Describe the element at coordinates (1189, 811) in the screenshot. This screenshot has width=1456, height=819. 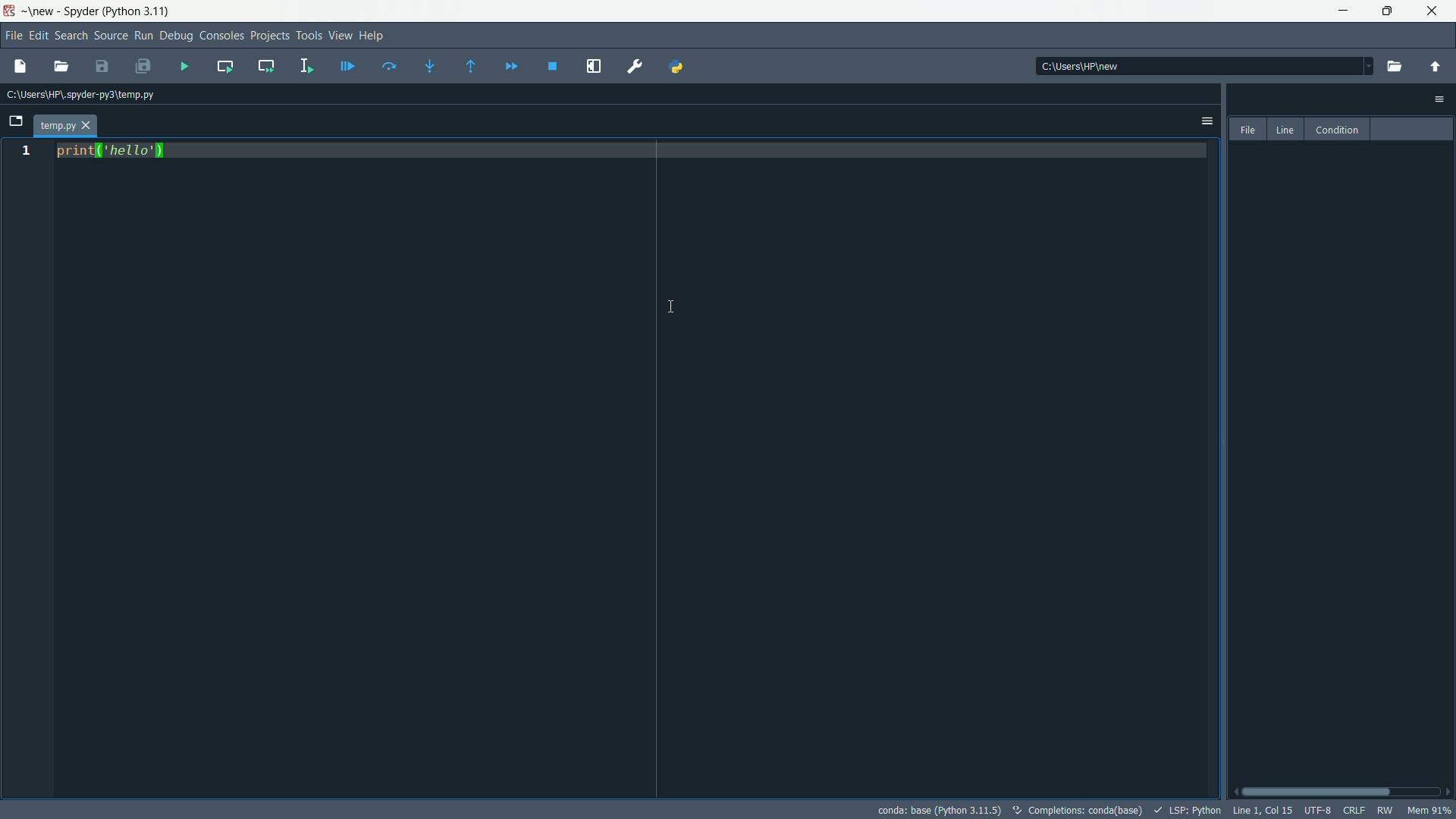
I see `LSP:Python` at that location.